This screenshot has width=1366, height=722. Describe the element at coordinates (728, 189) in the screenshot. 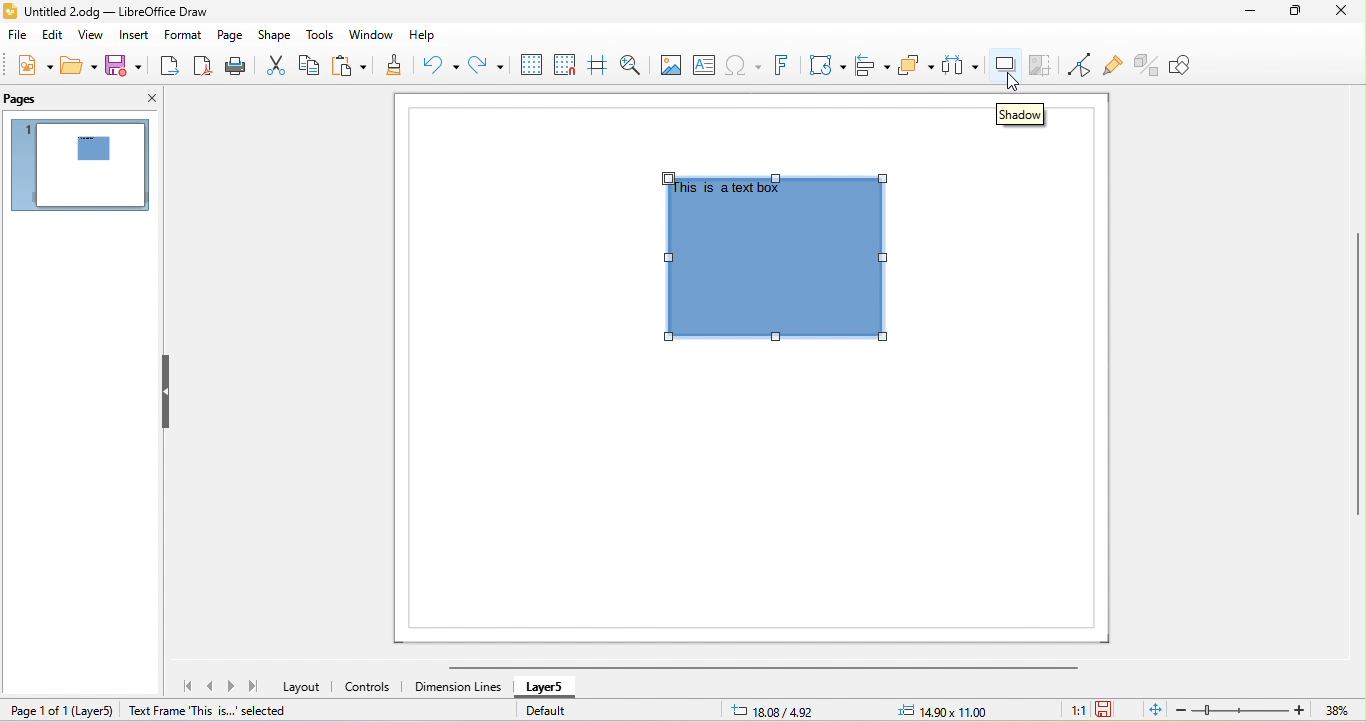

I see `this is a text box` at that location.